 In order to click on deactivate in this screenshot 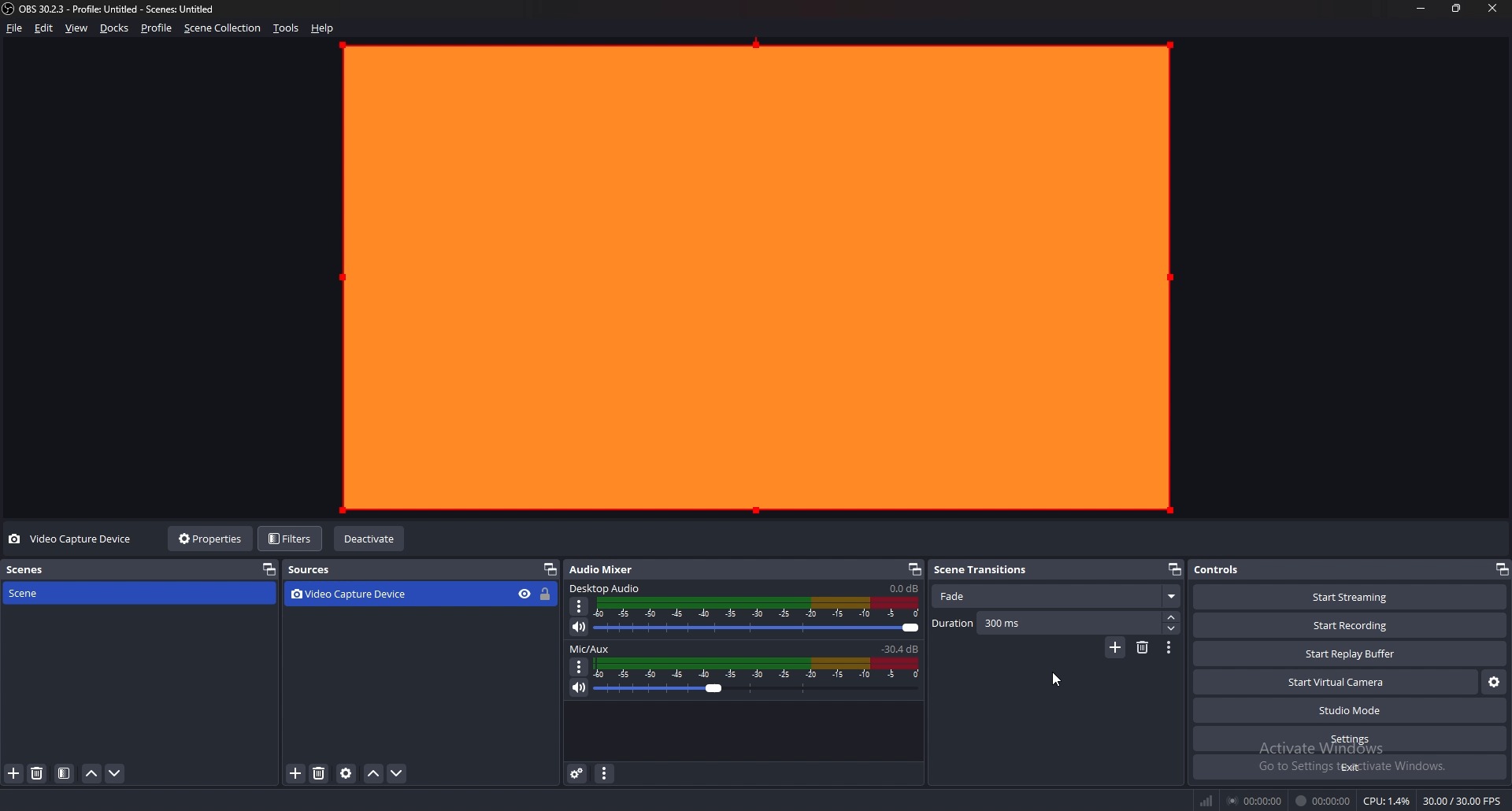, I will do `click(370, 539)`.